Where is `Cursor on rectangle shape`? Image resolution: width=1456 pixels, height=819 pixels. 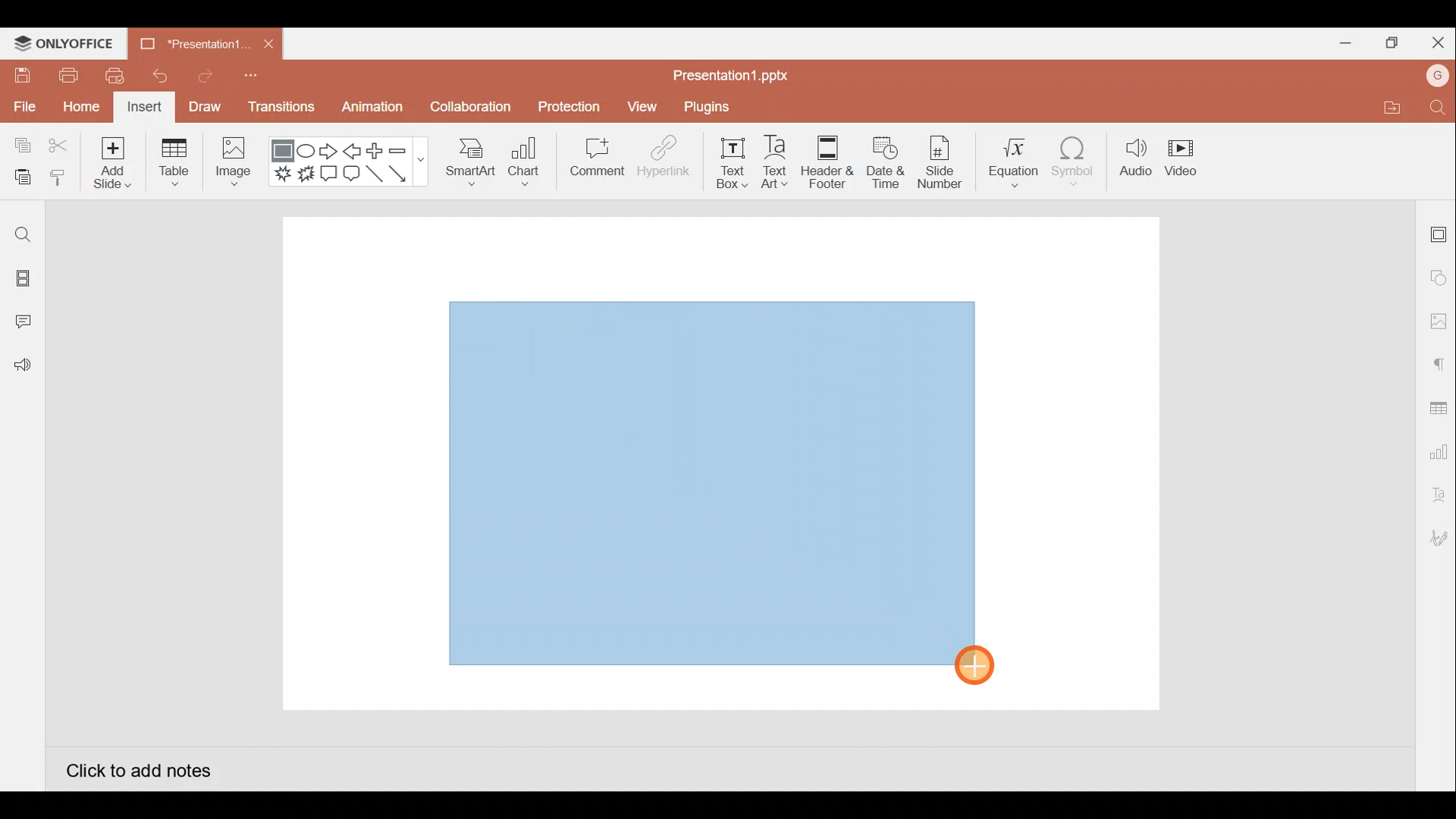
Cursor on rectangle shape is located at coordinates (979, 664).